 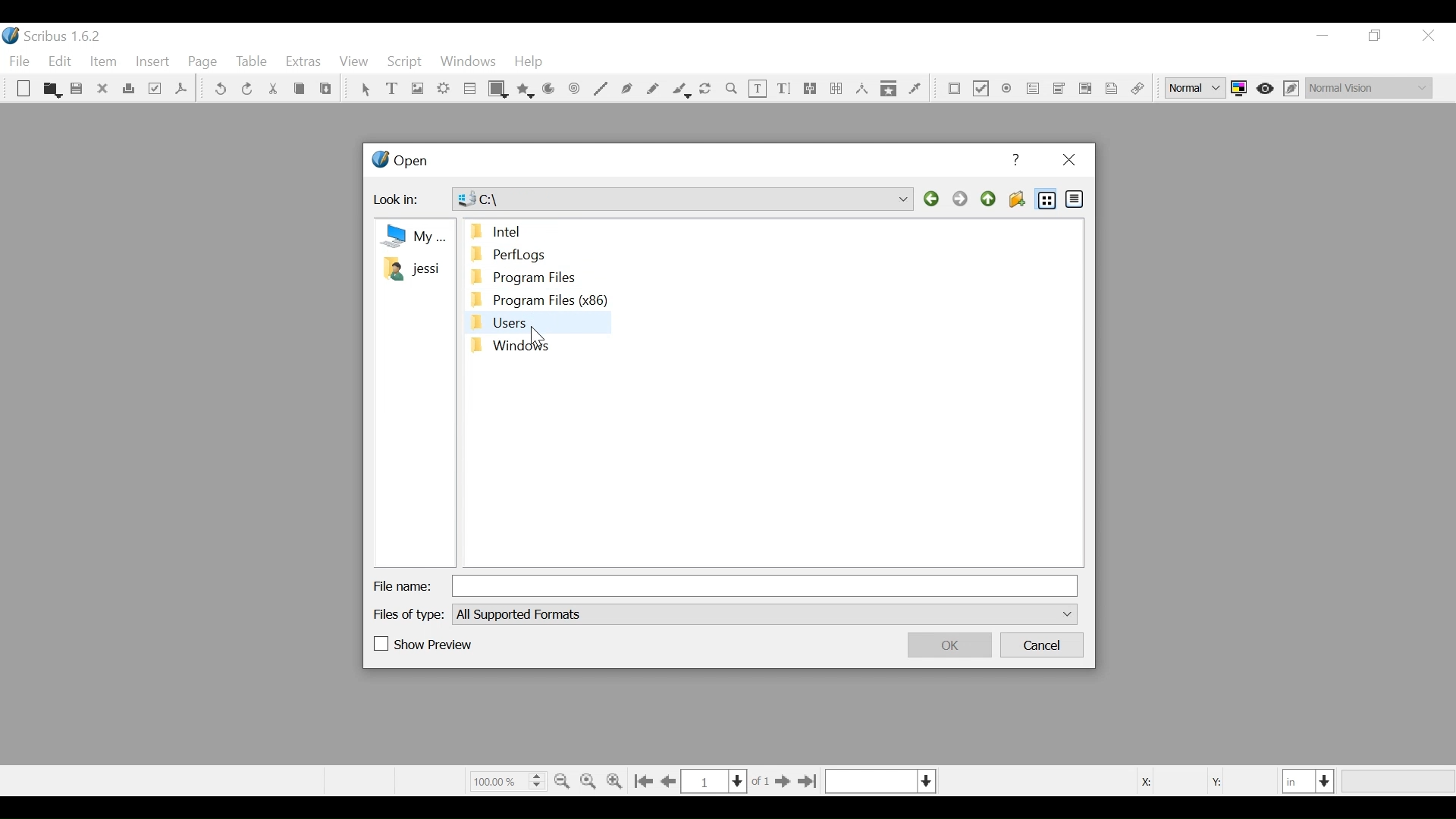 I want to click on Cancel, so click(x=1043, y=646).